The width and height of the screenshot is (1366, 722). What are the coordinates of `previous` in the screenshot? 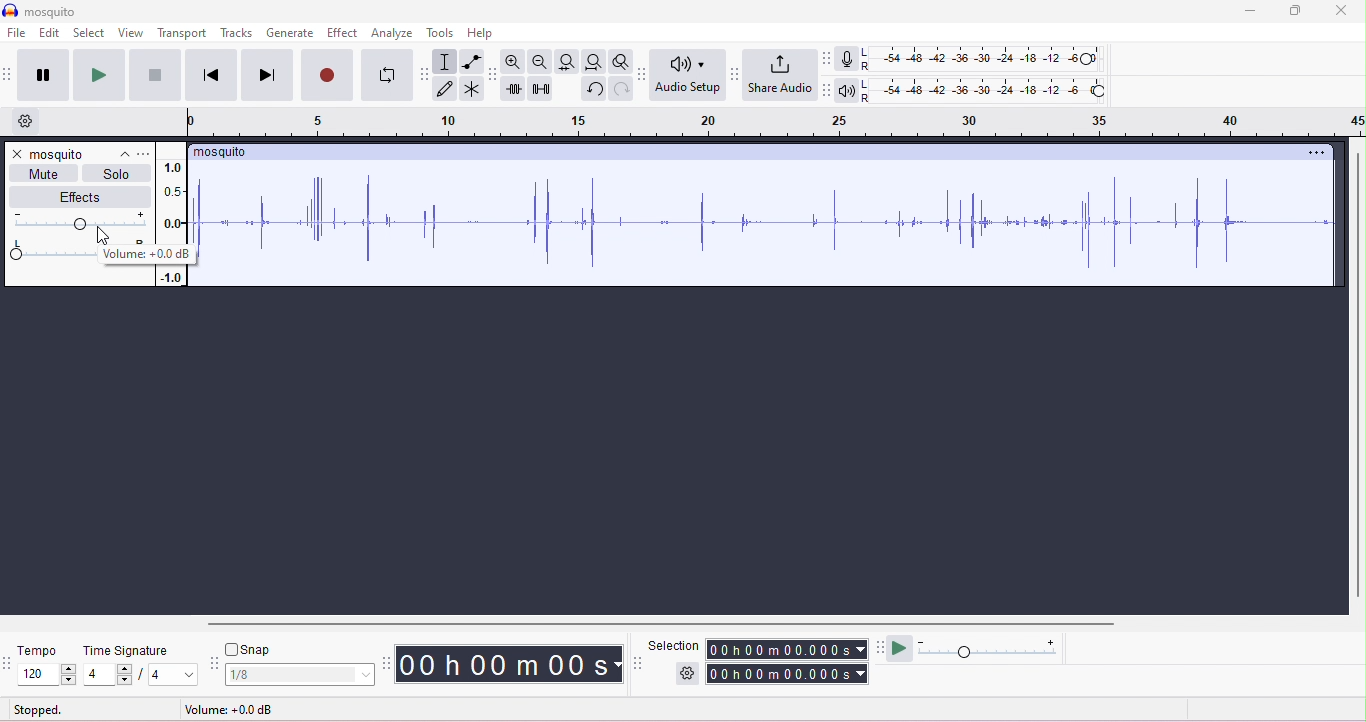 It's located at (208, 75).